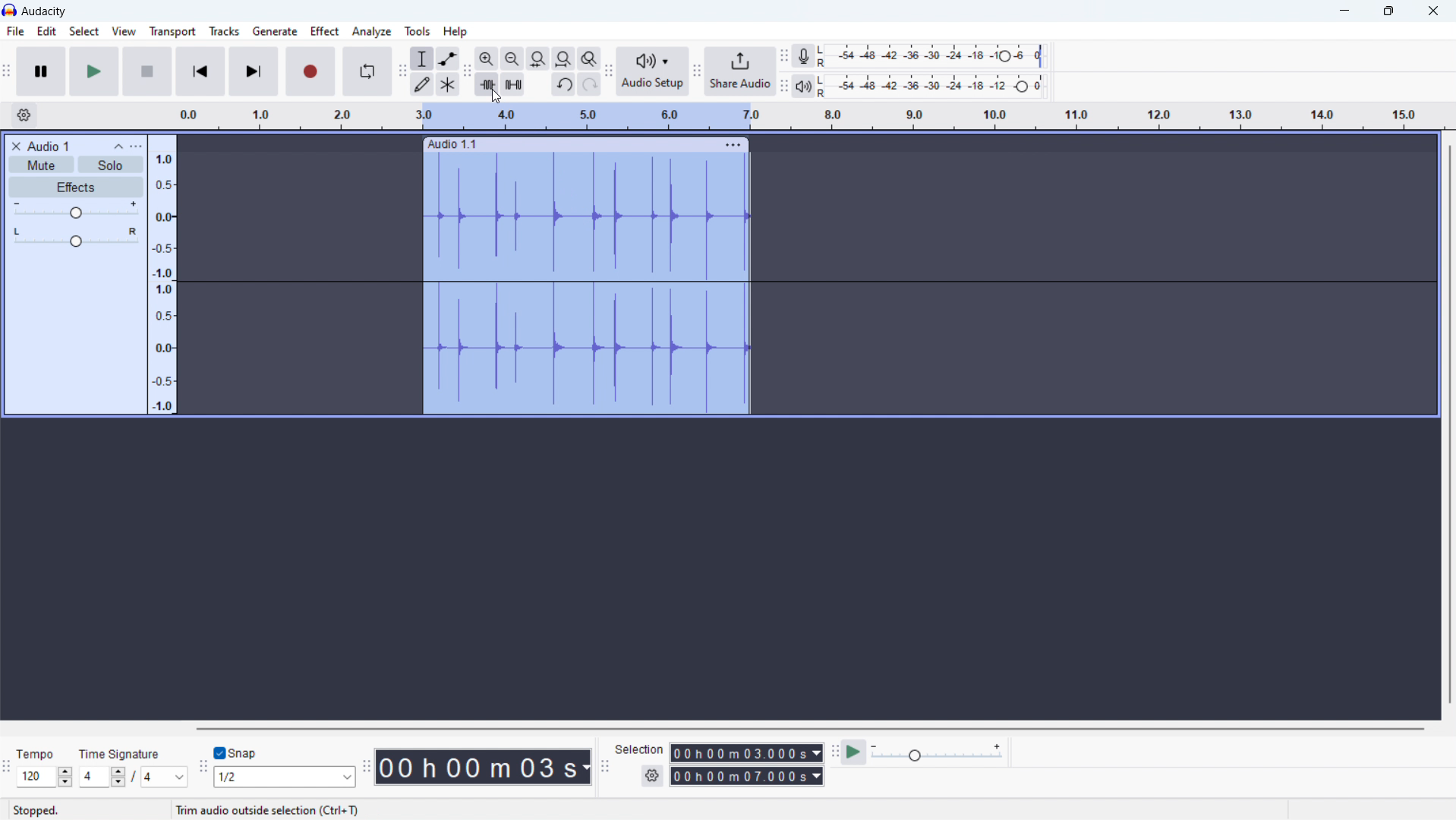 Image resolution: width=1456 pixels, height=820 pixels. I want to click on maximize, so click(1387, 11).